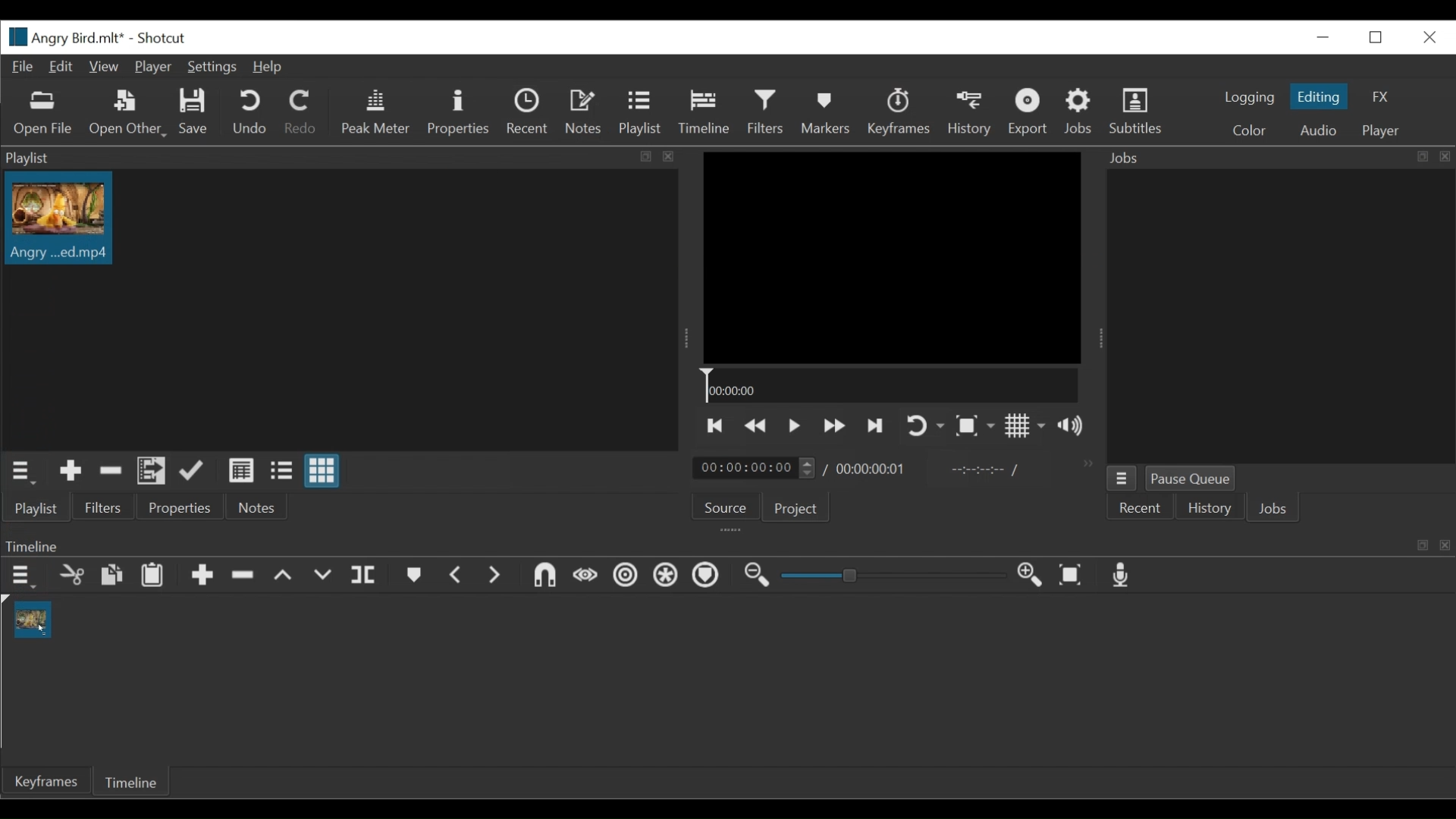 The width and height of the screenshot is (1456, 819). I want to click on timing, so click(873, 466).